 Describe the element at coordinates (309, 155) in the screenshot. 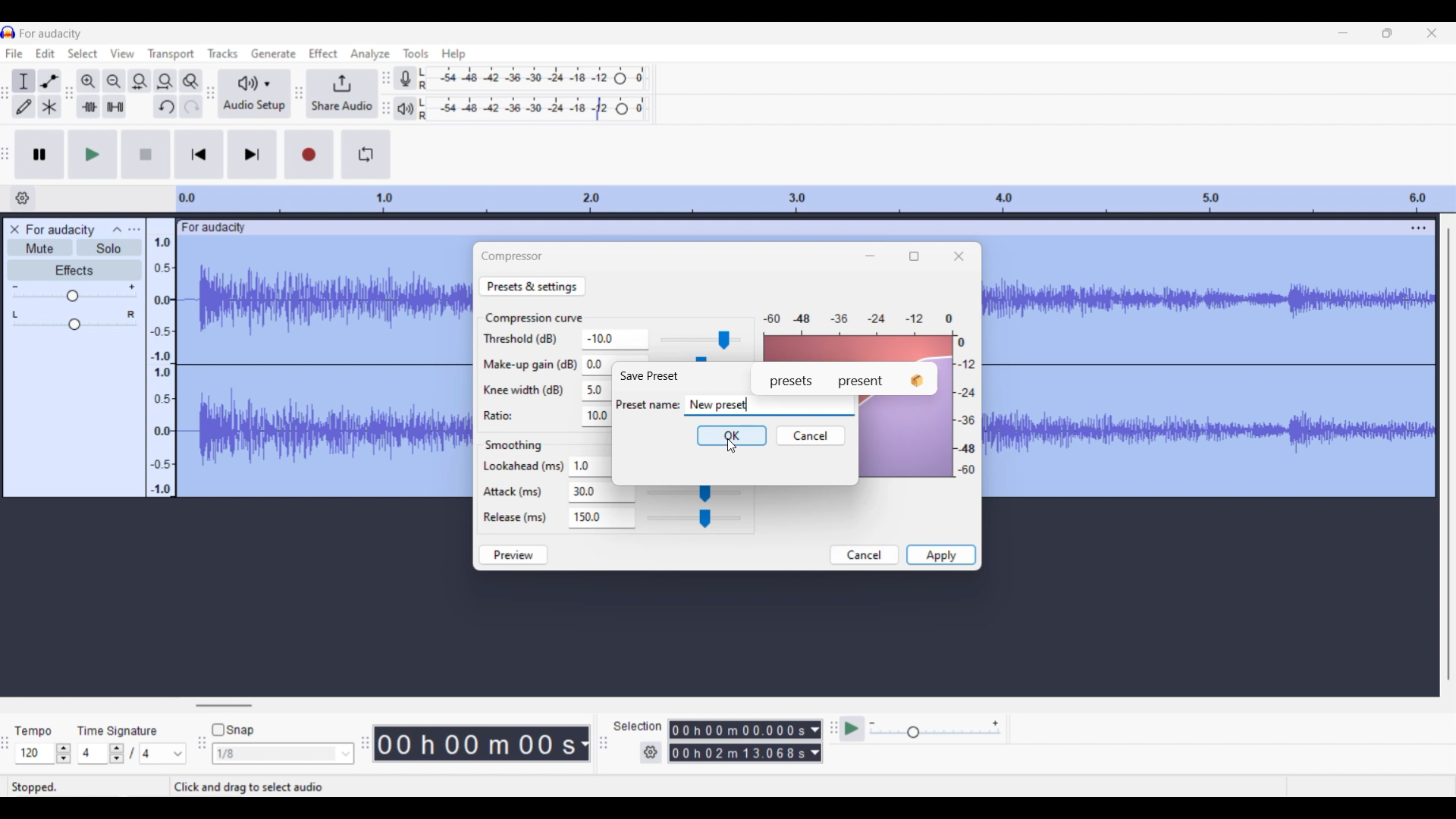

I see `Record/Record new track` at that location.